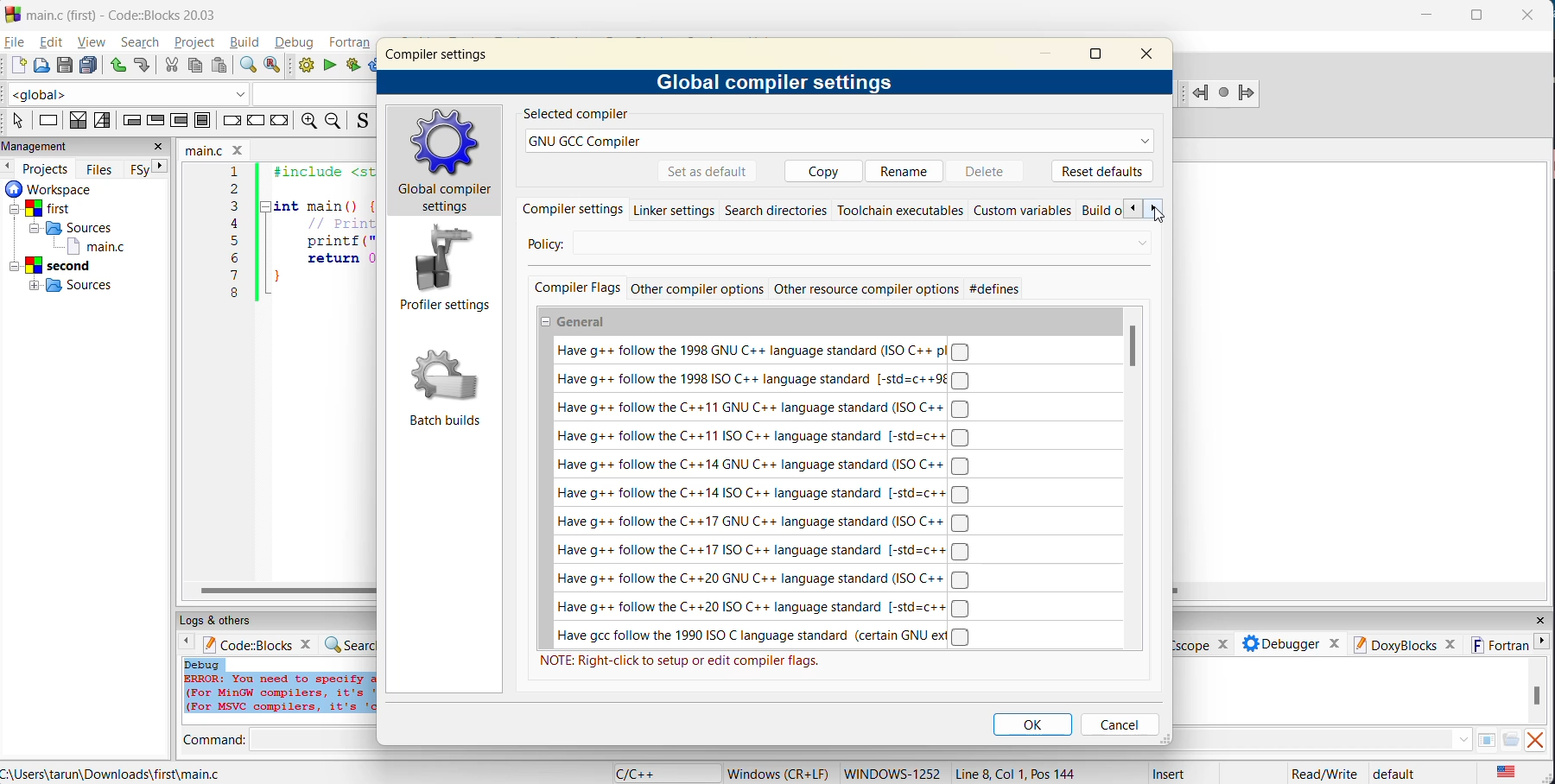 The width and height of the screenshot is (1555, 784). I want to click on projects, so click(46, 168).